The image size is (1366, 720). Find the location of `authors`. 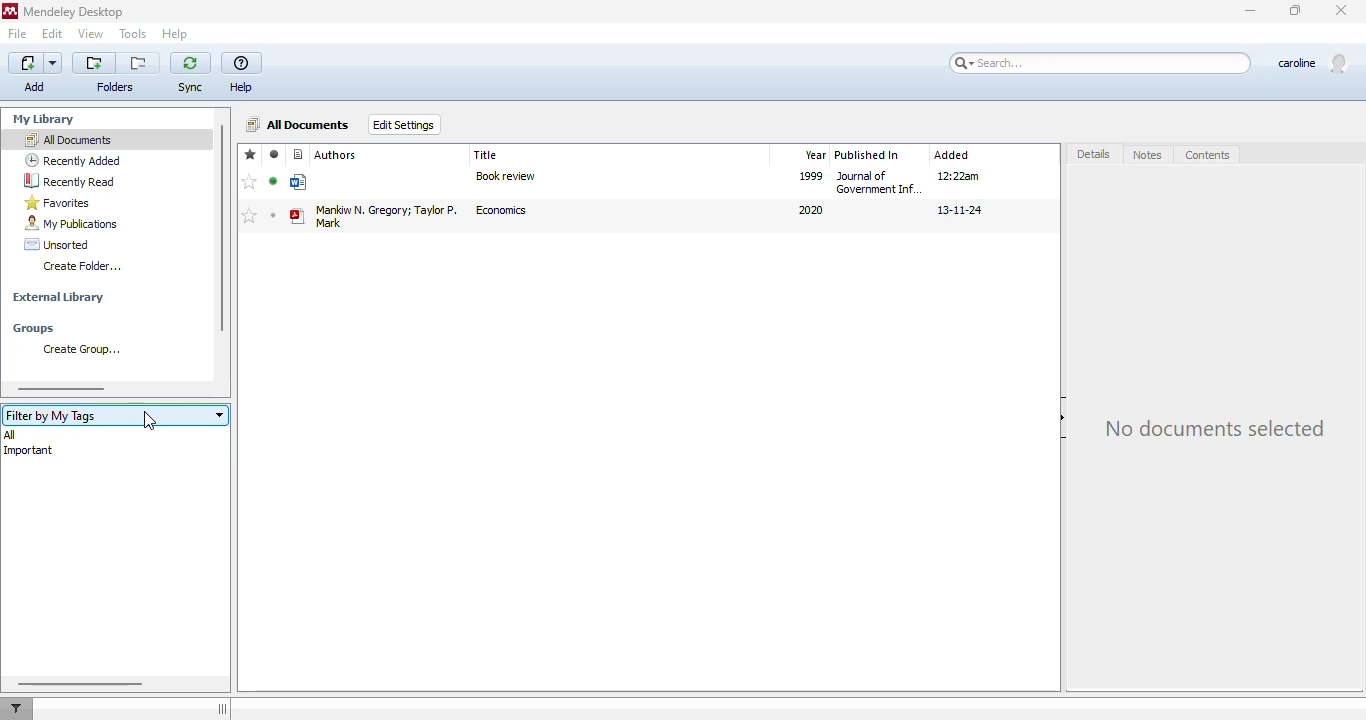

authors is located at coordinates (336, 155).